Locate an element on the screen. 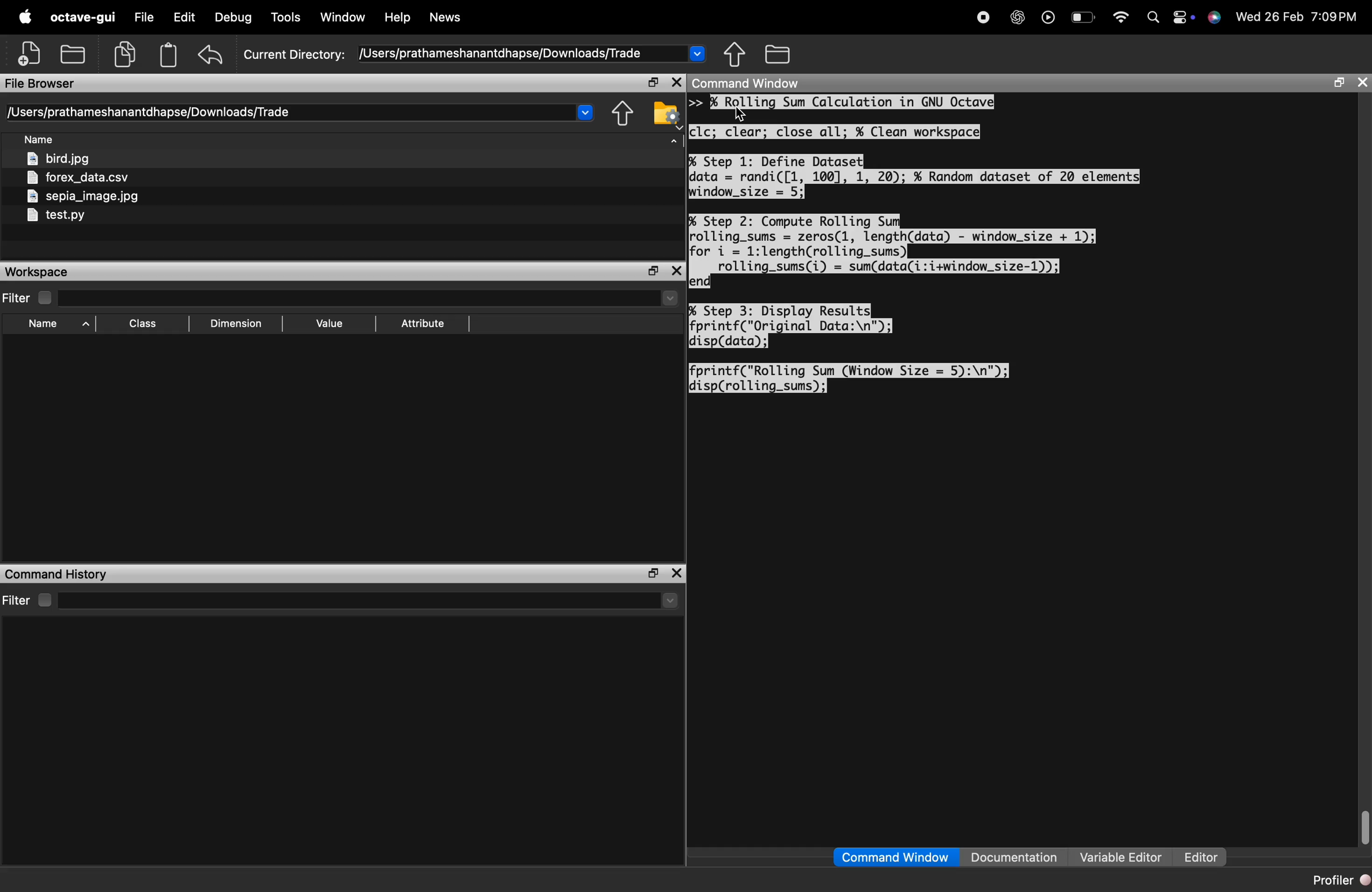 The height and width of the screenshot is (892, 1372). current directory is located at coordinates (475, 54).